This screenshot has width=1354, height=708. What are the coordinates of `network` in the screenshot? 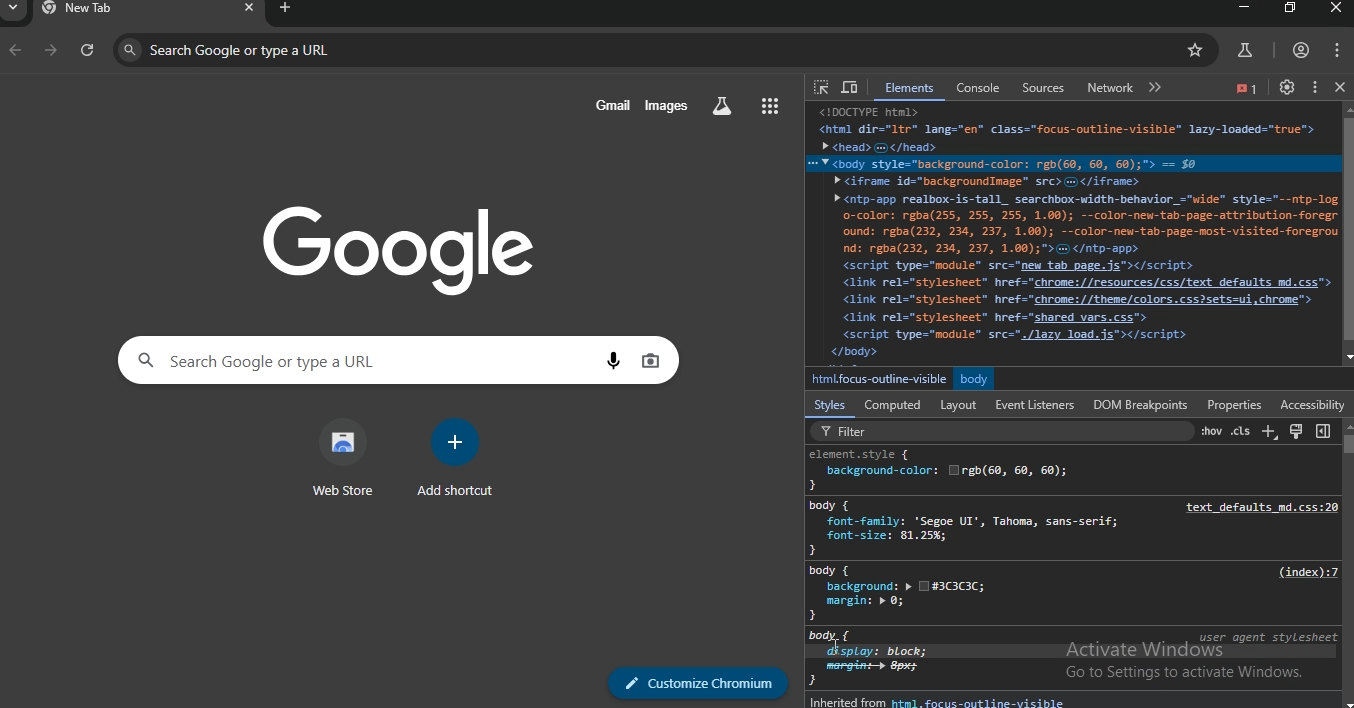 It's located at (1129, 86).